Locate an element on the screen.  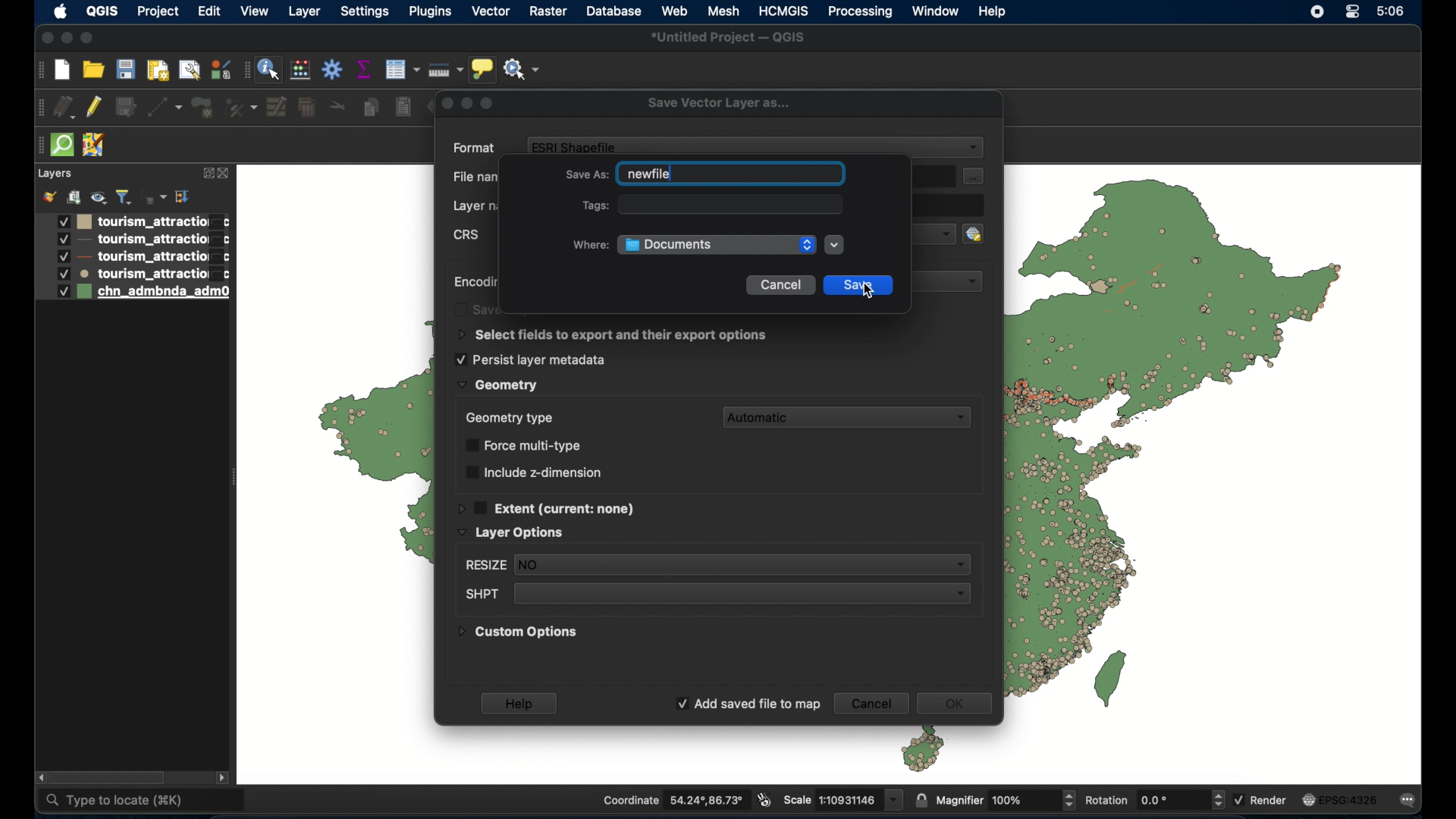
add group is located at coordinates (74, 195).